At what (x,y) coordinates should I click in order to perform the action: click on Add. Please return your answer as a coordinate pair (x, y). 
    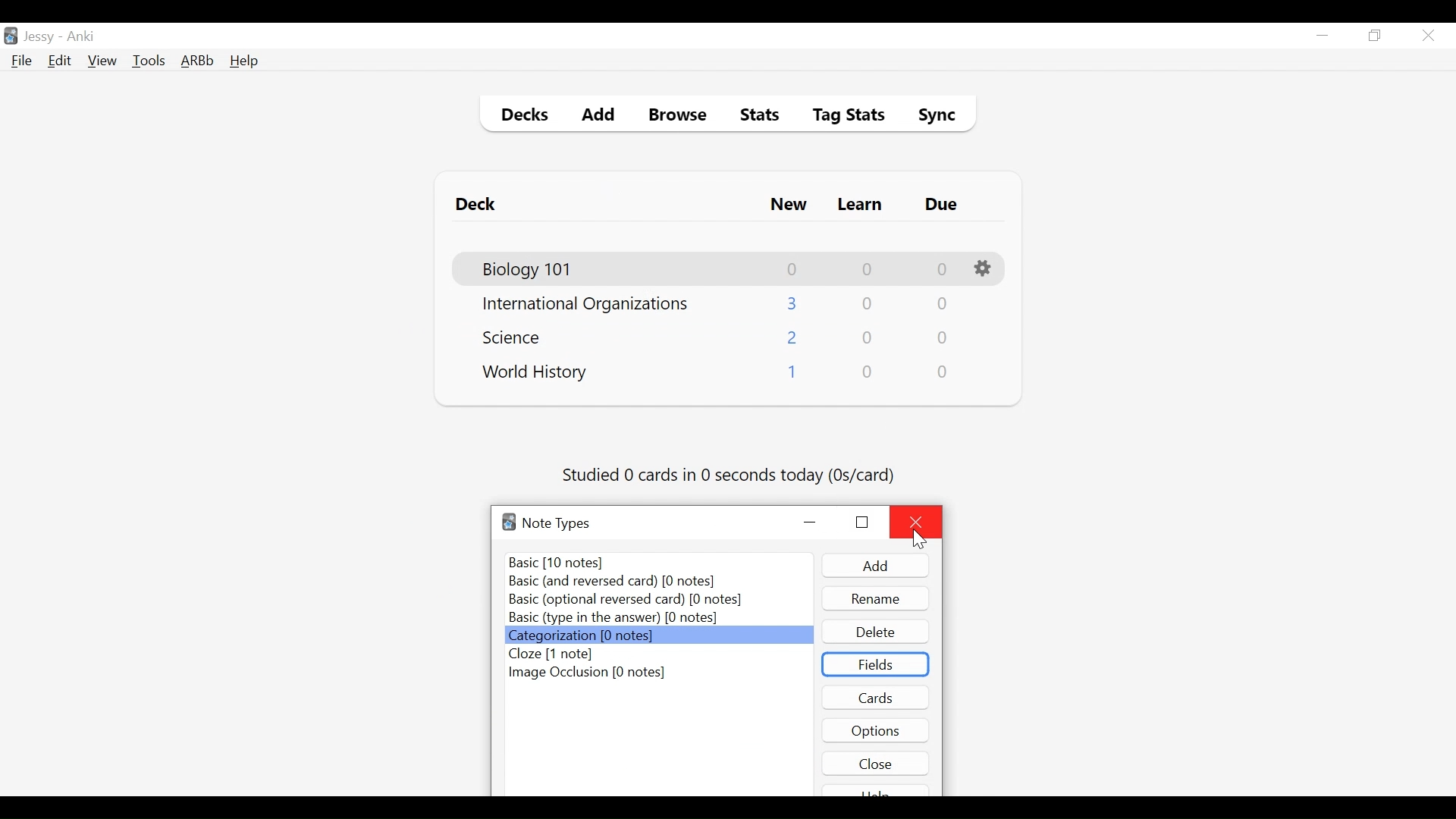
    Looking at the image, I should click on (599, 117).